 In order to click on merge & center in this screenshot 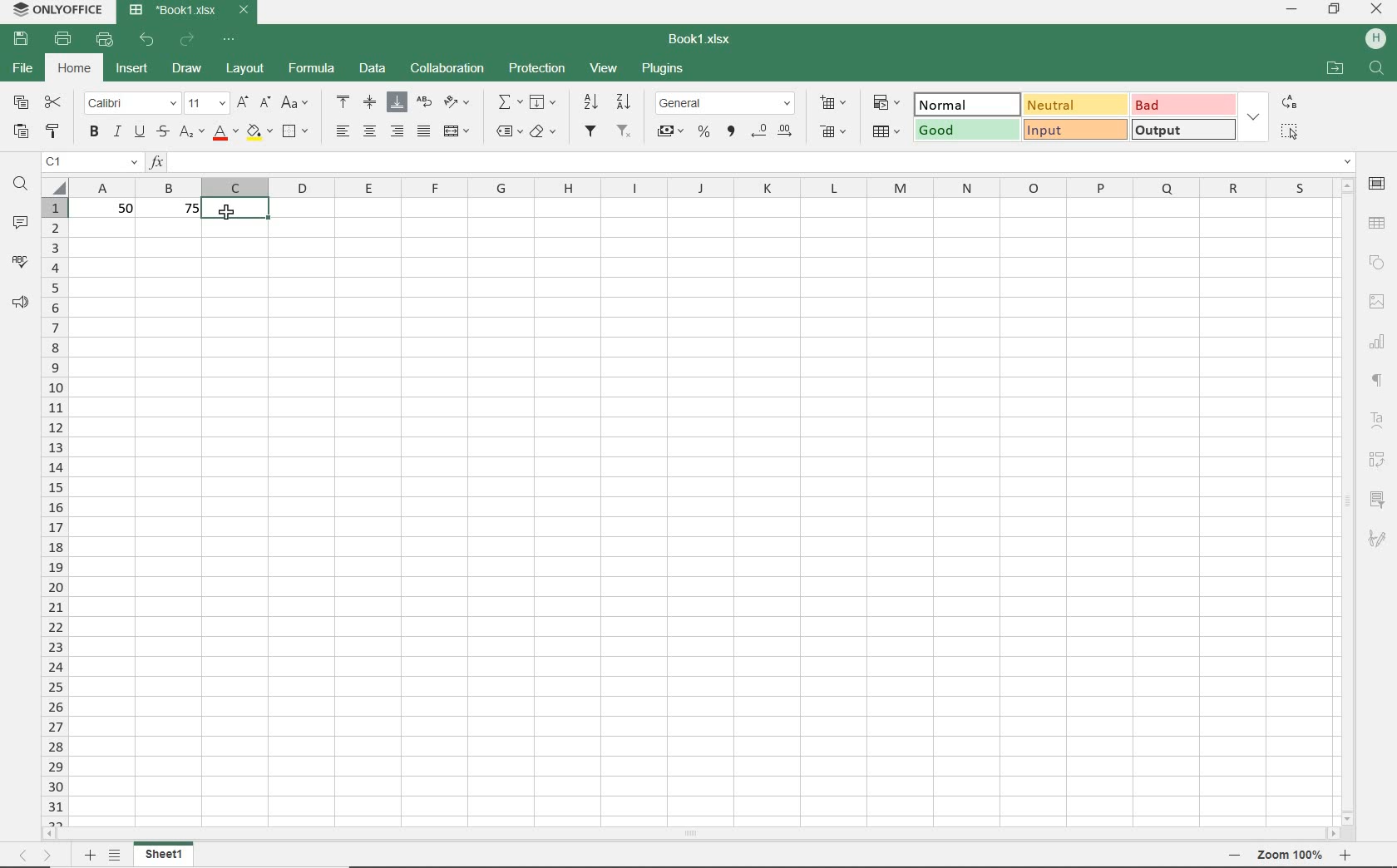, I will do `click(457, 131)`.